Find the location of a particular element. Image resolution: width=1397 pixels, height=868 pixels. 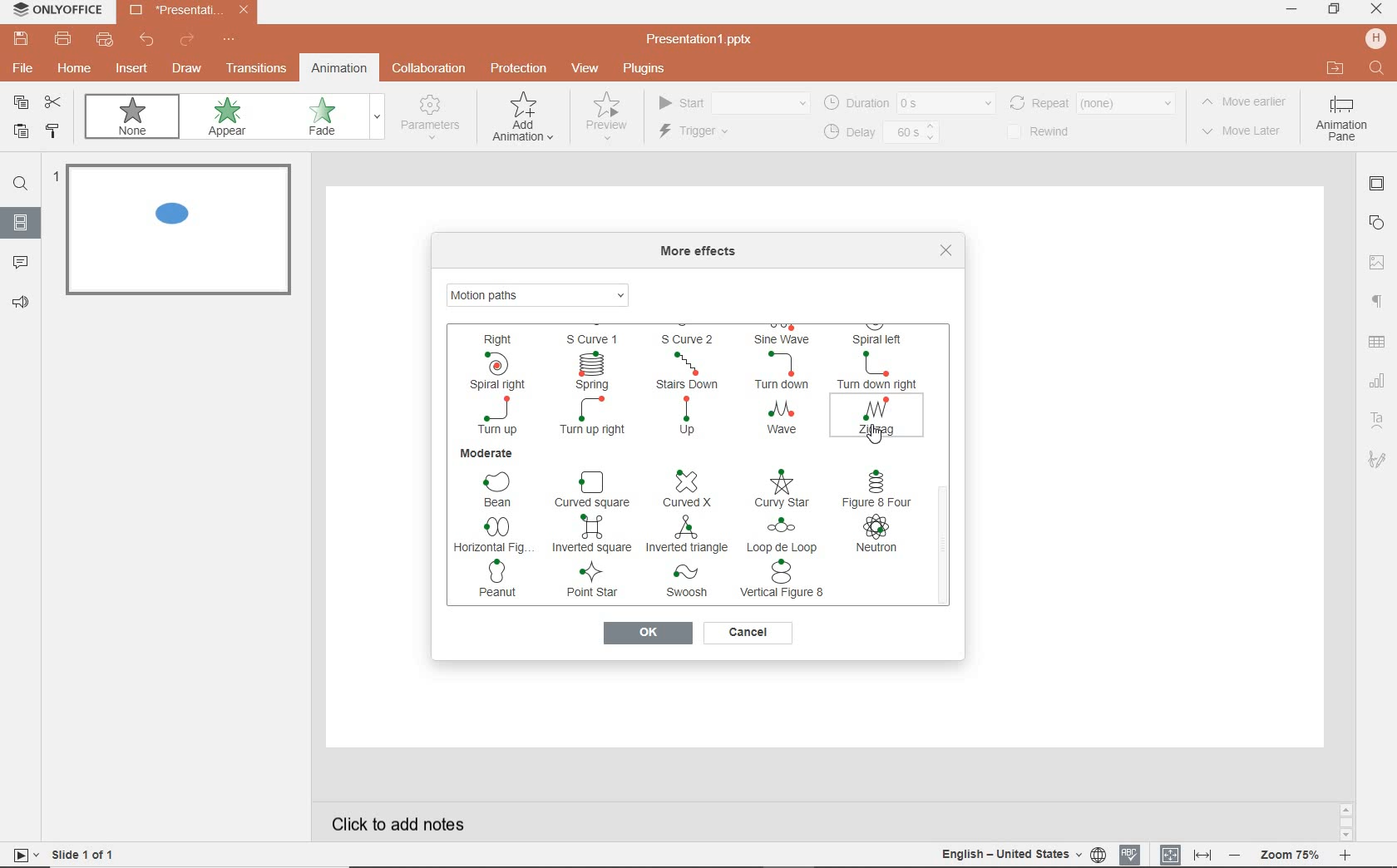

trigger is located at coordinates (716, 133).